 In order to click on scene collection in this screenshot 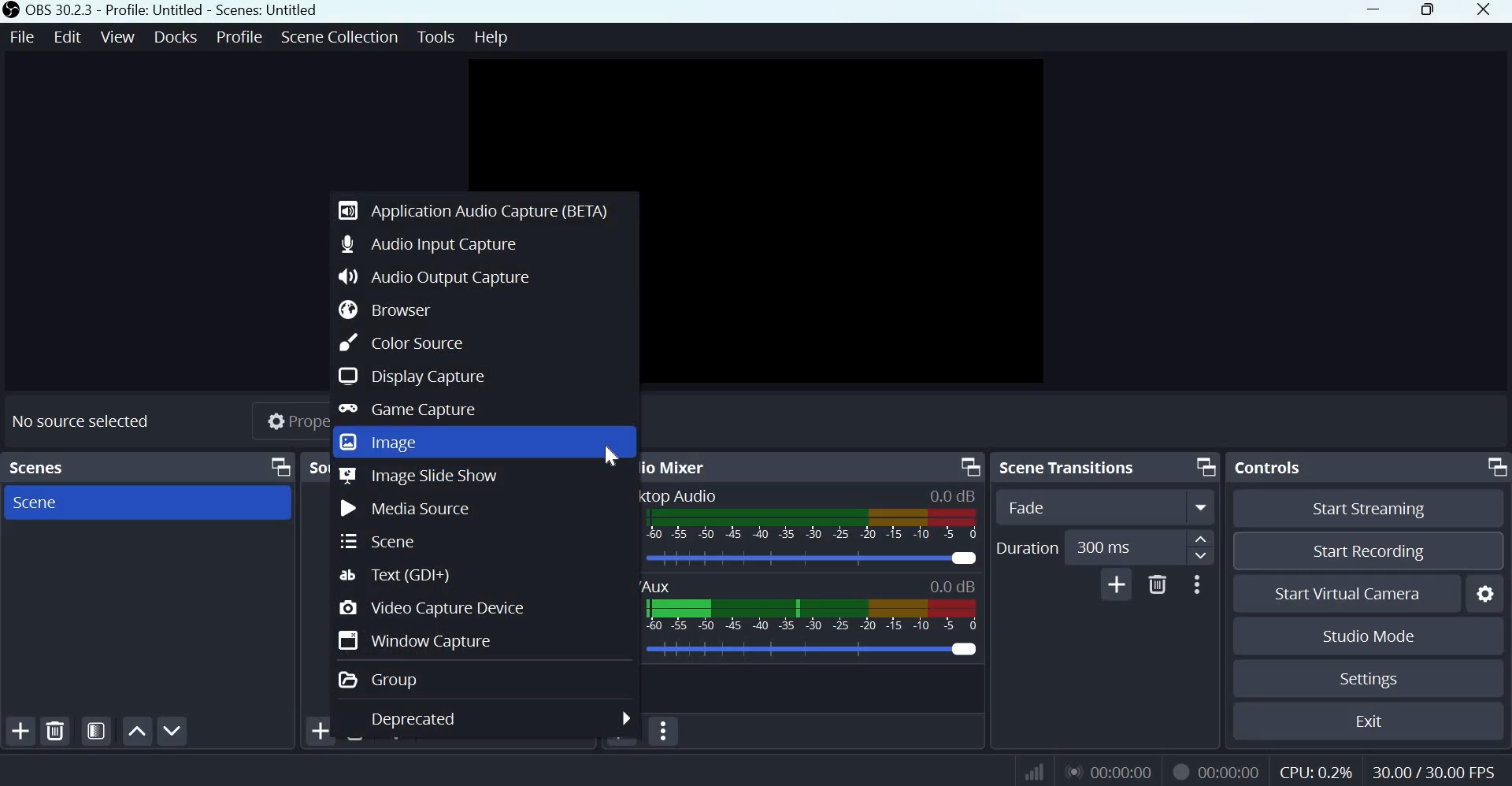, I will do `click(340, 35)`.